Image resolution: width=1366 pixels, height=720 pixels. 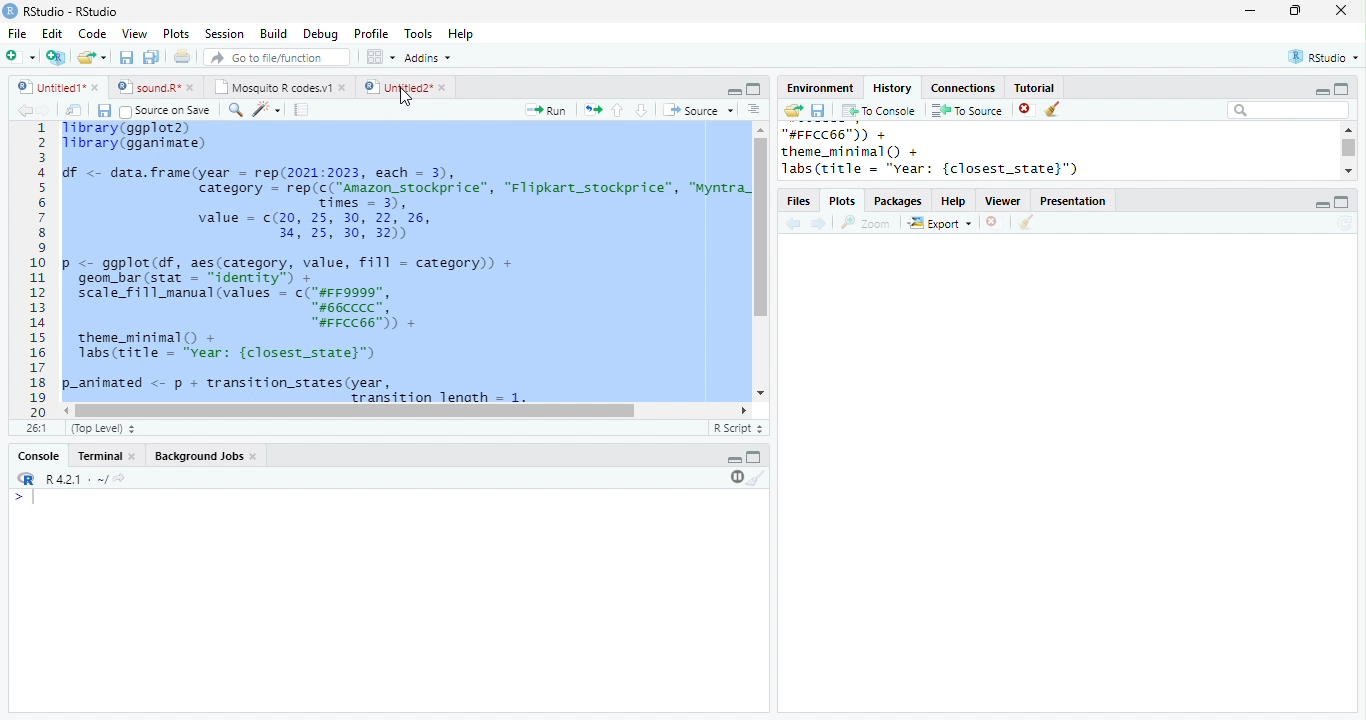 I want to click on save, so click(x=818, y=110).